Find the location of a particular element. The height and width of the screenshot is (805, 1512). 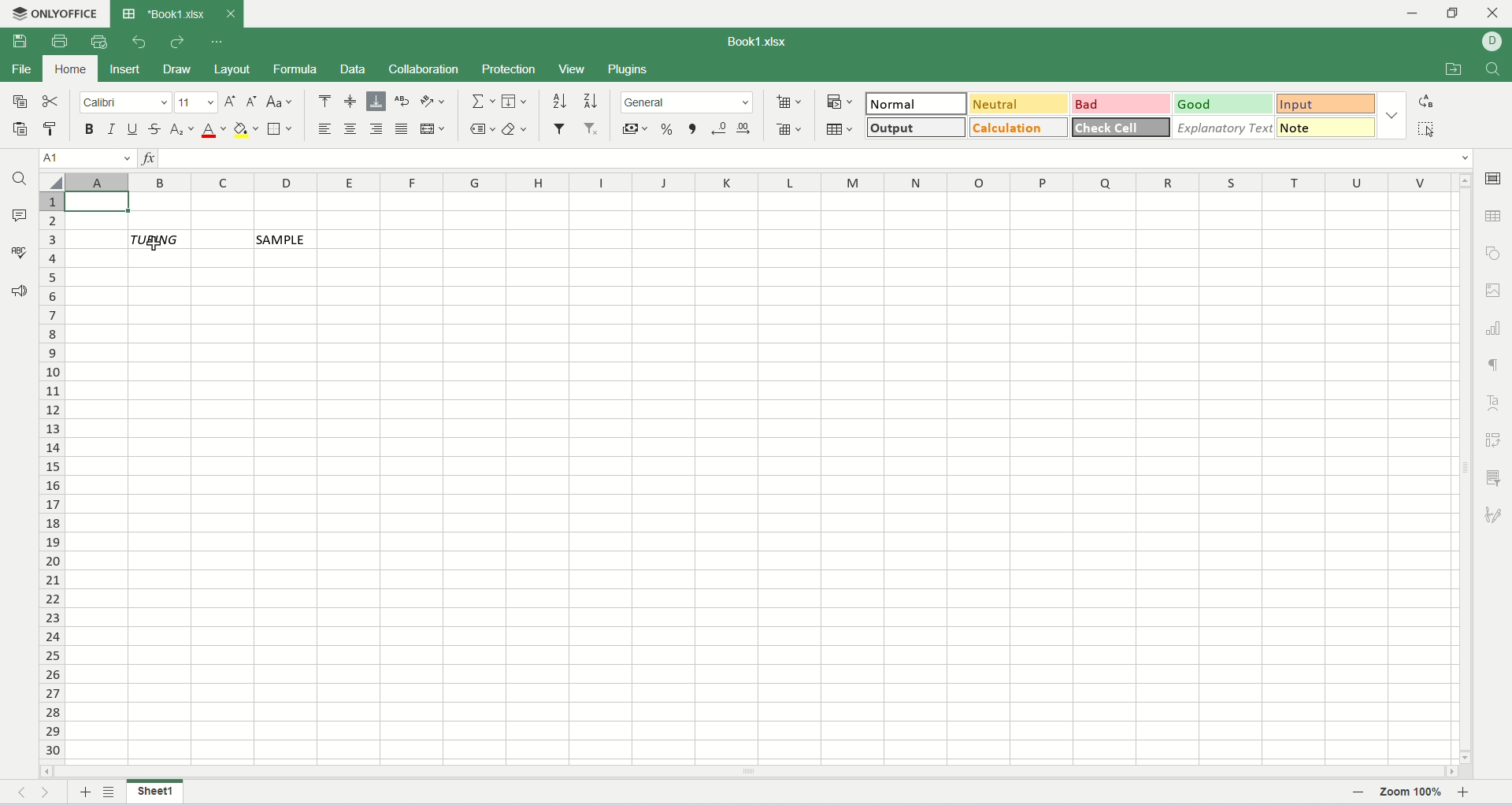

print is located at coordinates (63, 40).